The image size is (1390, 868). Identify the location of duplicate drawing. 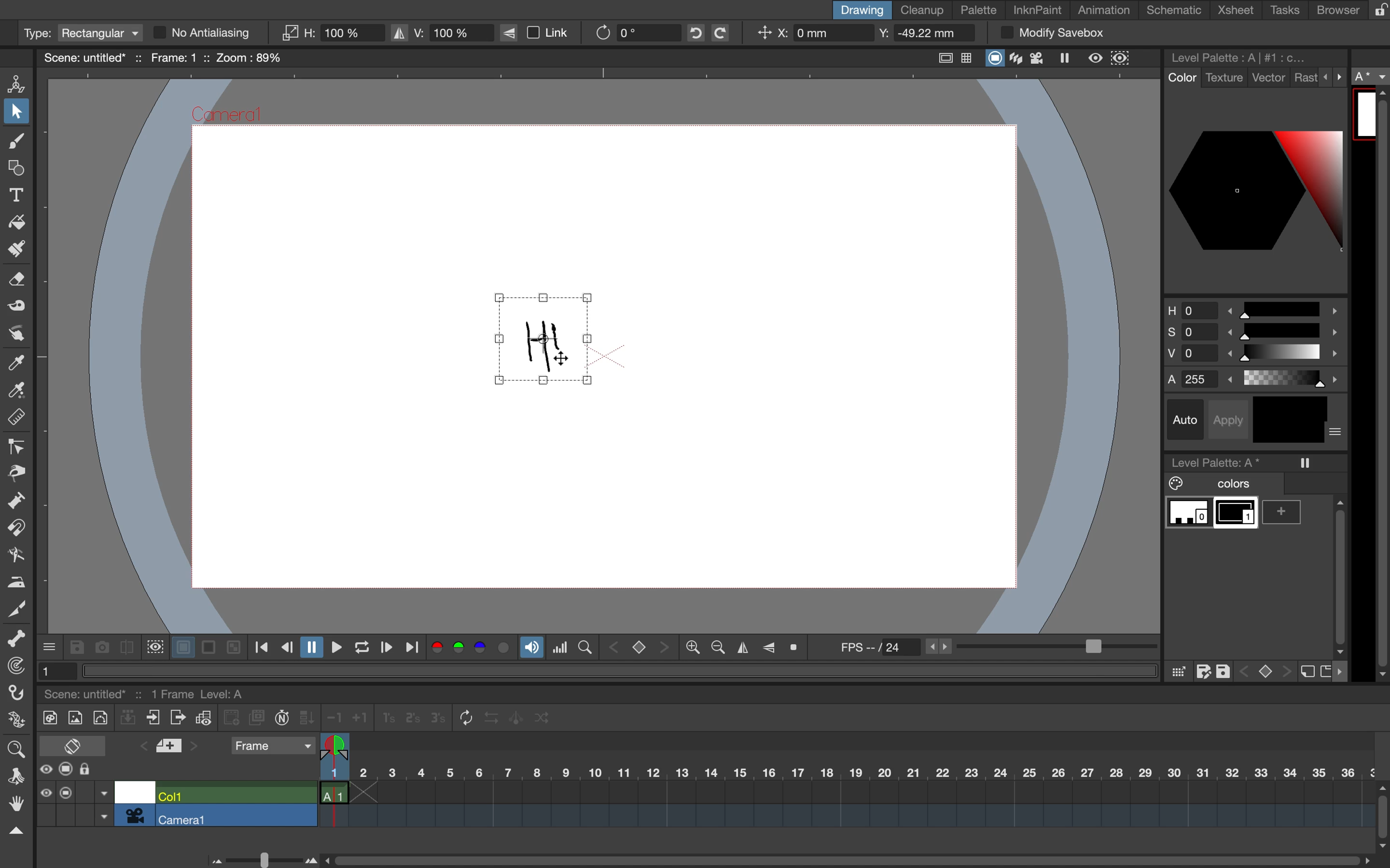
(257, 718).